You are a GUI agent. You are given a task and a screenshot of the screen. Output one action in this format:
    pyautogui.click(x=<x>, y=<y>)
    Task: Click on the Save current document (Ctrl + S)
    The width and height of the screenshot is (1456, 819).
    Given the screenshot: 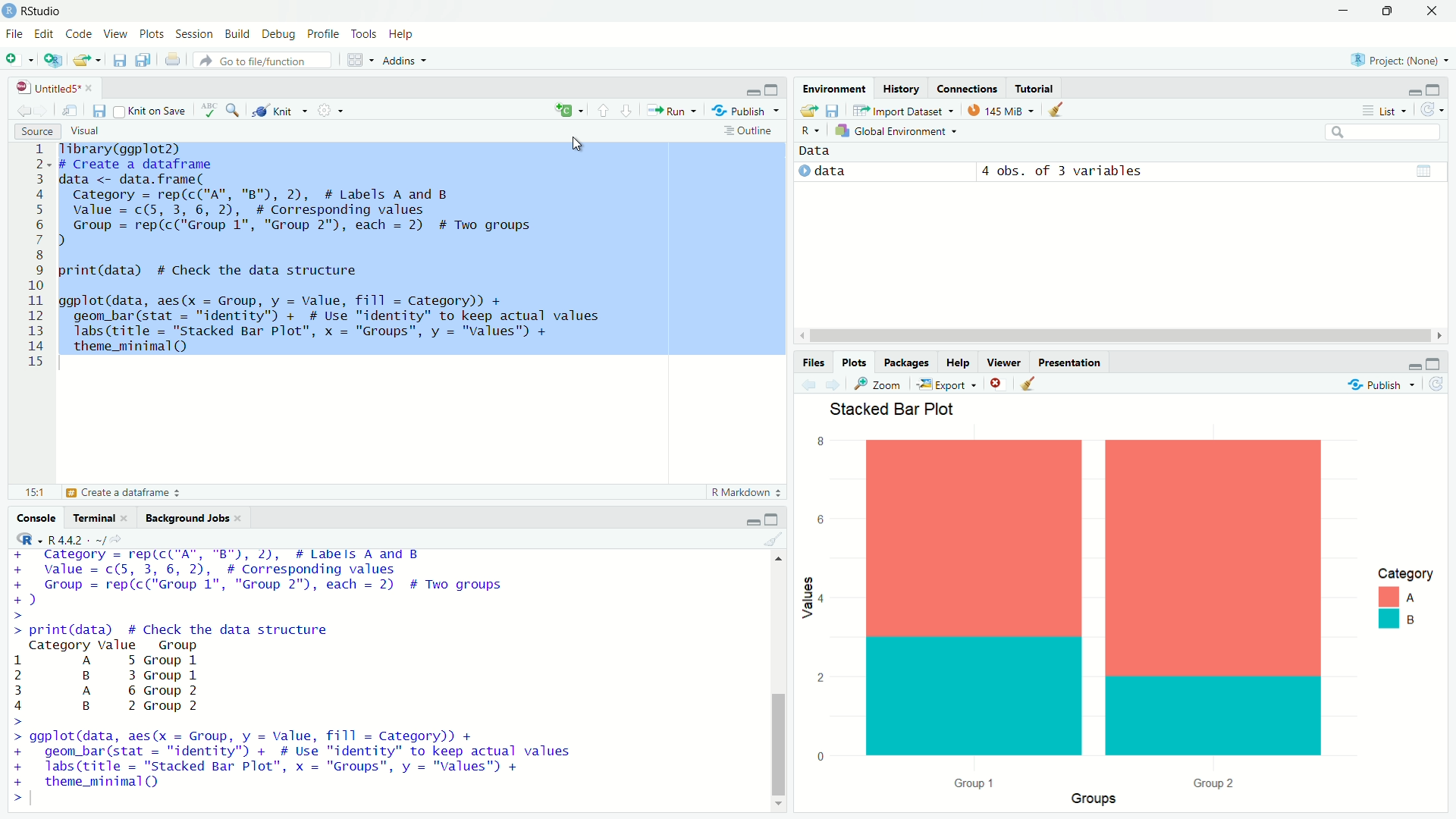 What is the action you would take?
    pyautogui.click(x=99, y=109)
    